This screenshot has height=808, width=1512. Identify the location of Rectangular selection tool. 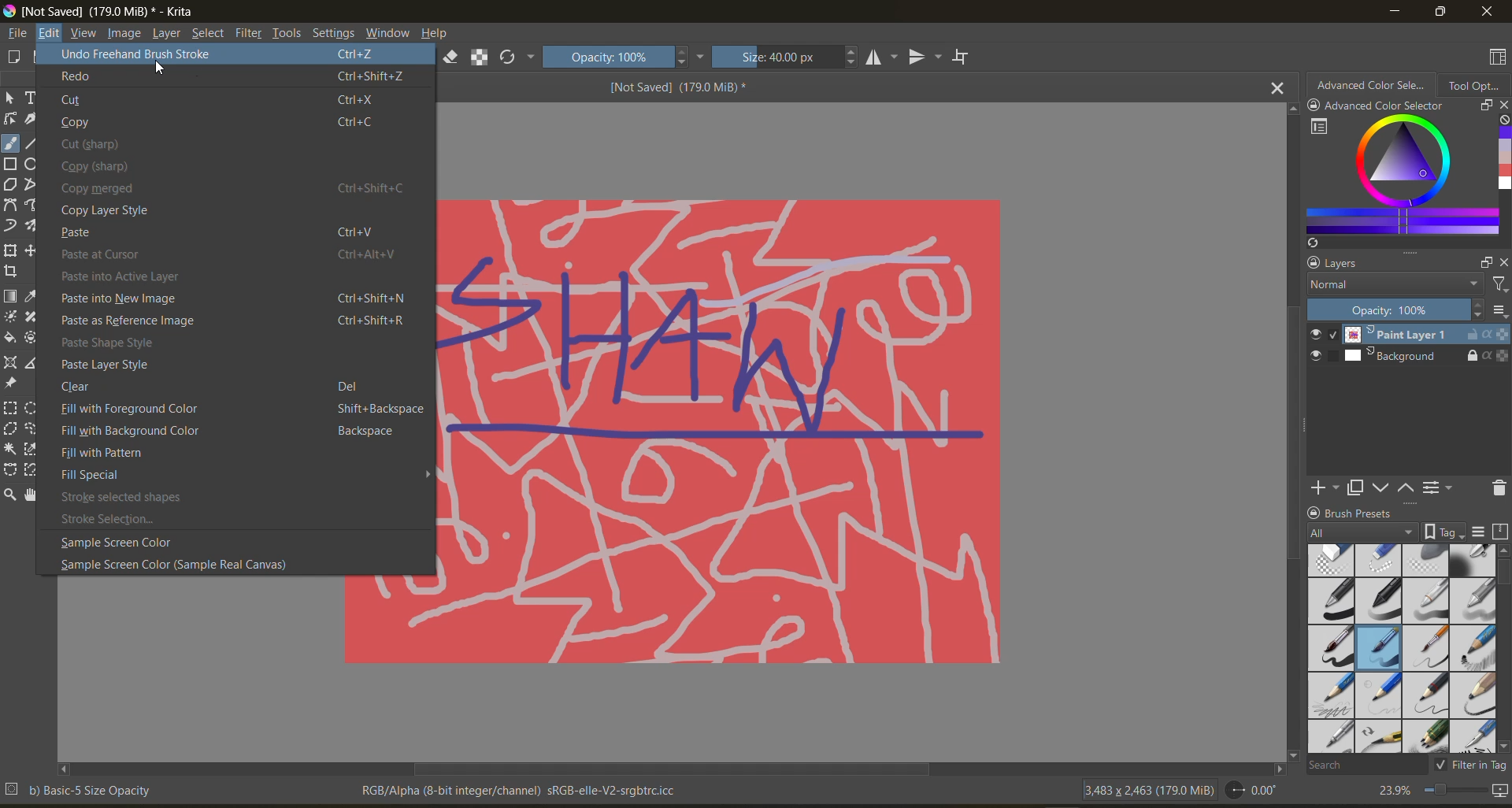
(10, 407).